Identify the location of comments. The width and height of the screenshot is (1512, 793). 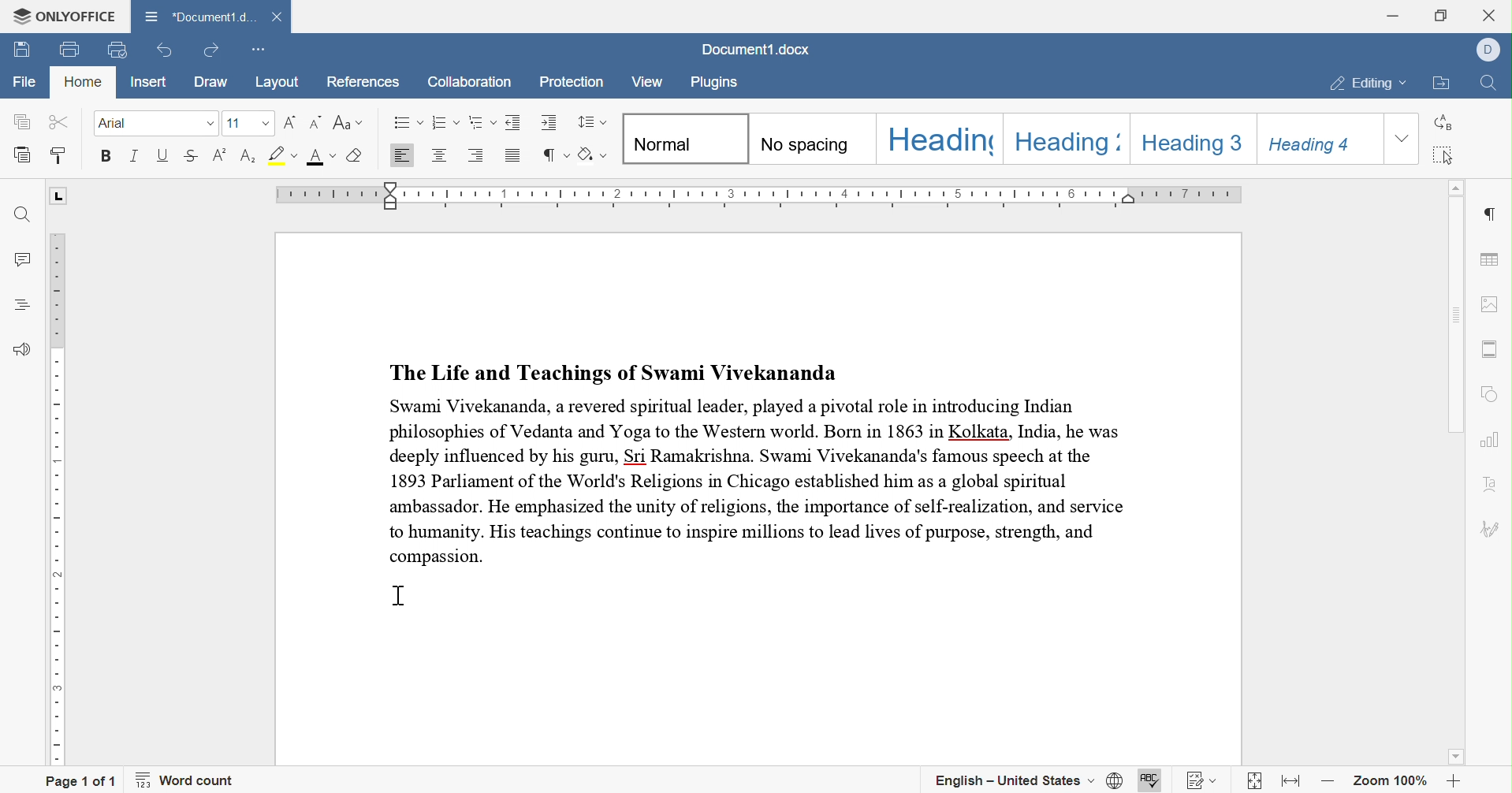
(28, 261).